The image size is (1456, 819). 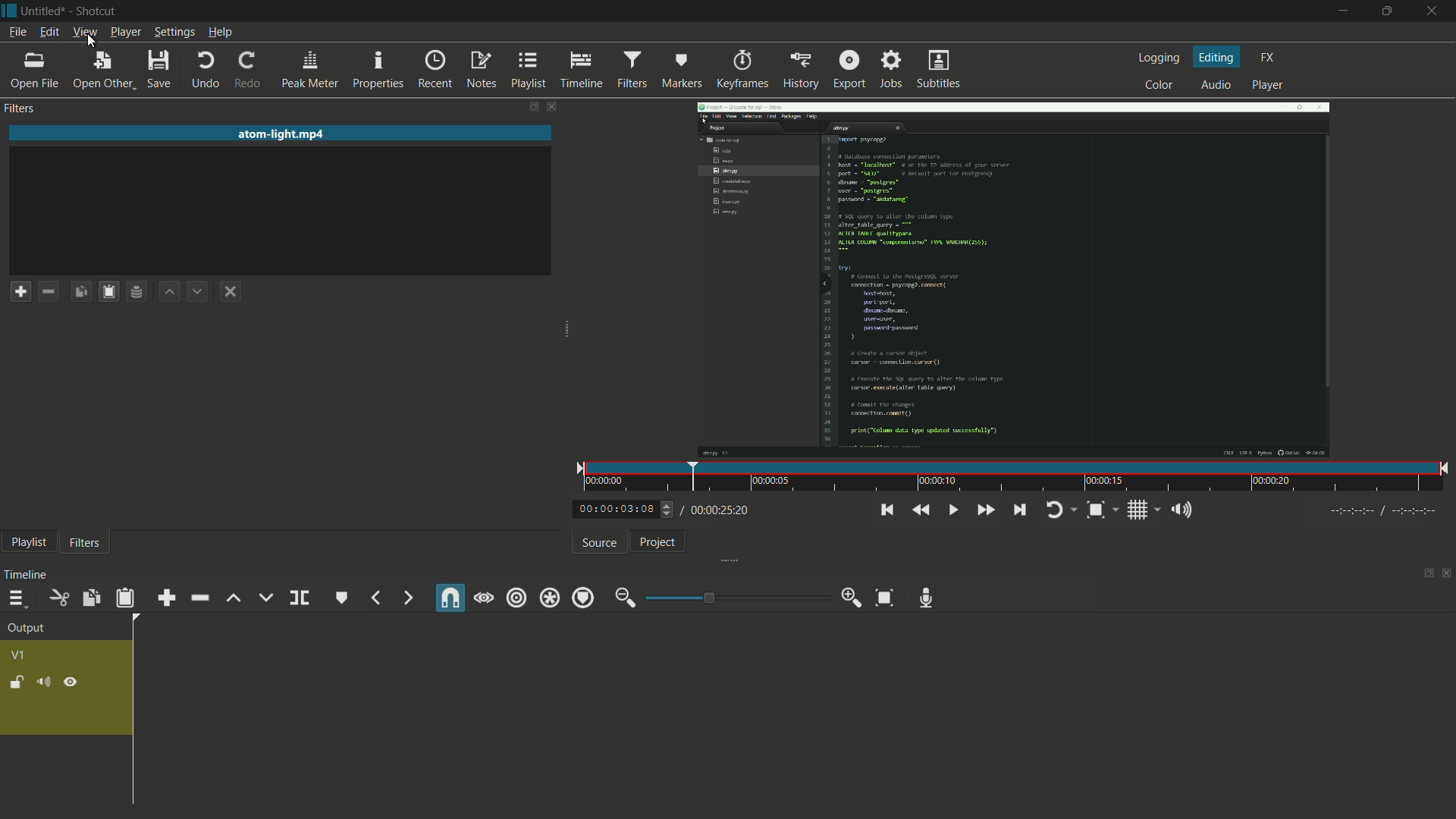 What do you see at coordinates (81, 293) in the screenshot?
I see `copy checked filters` at bounding box center [81, 293].